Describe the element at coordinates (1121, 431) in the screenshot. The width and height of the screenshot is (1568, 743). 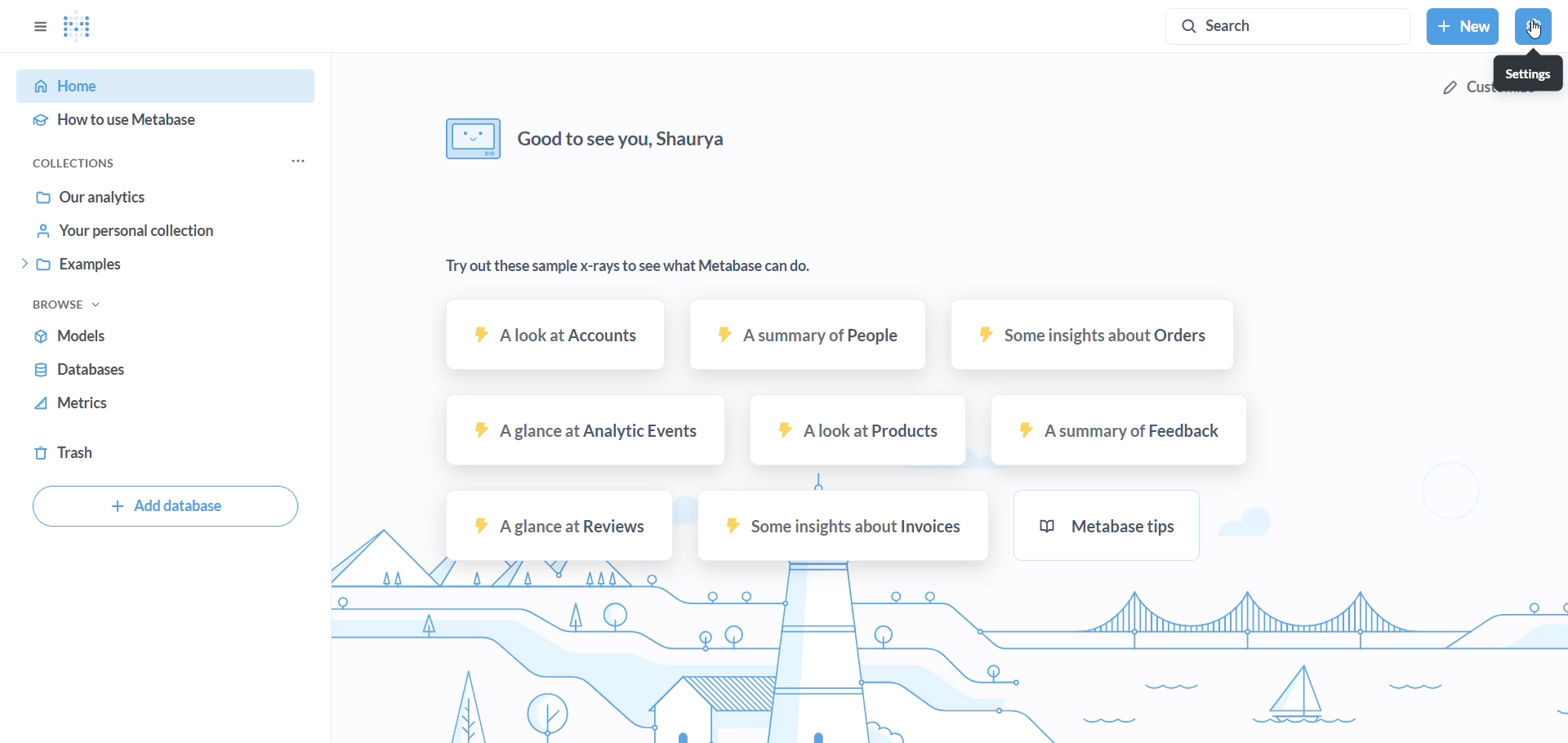
I see `A summary of Feedback` at that location.